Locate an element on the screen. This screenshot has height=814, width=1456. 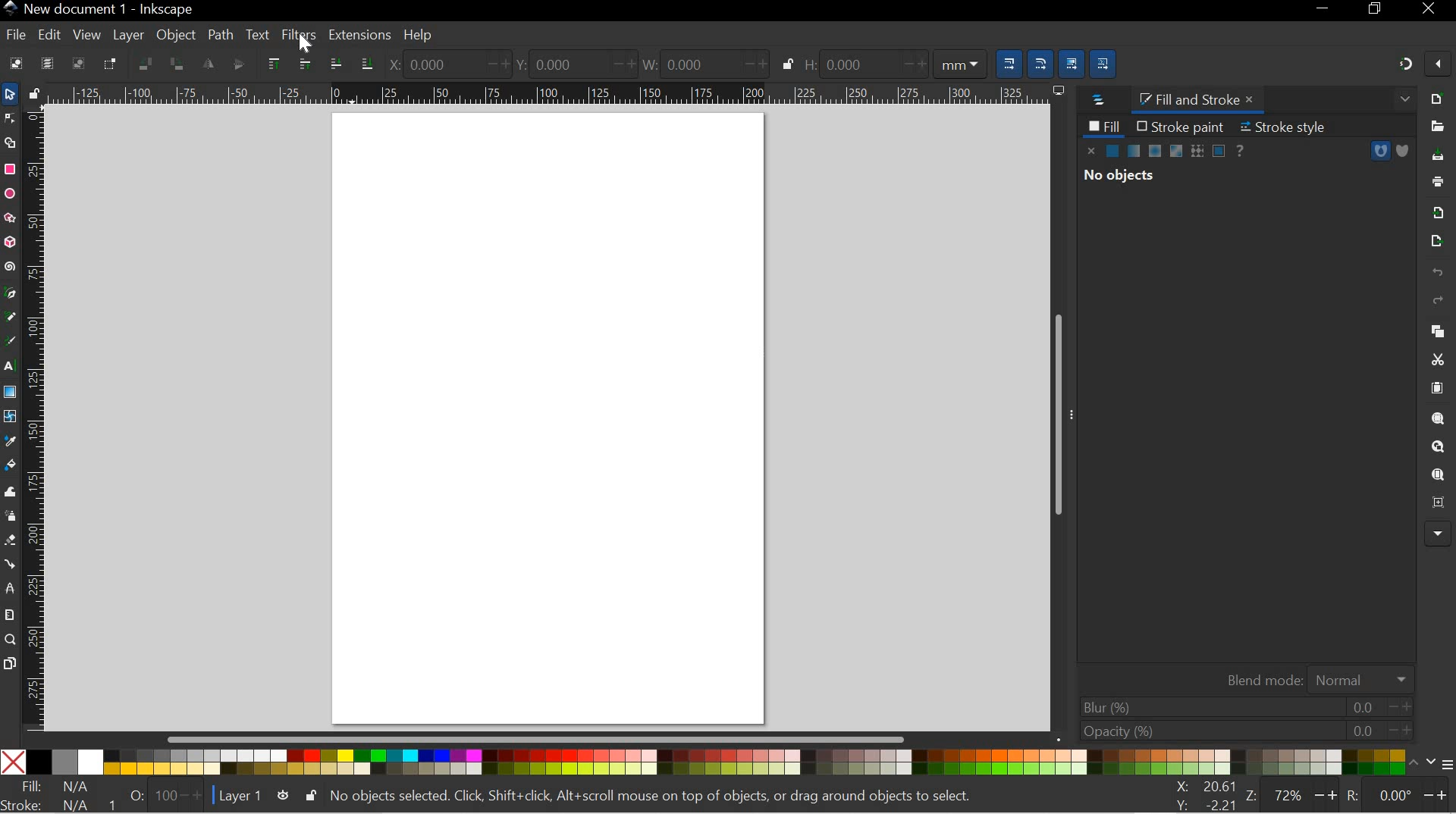
Y-AXIS is located at coordinates (570, 63).